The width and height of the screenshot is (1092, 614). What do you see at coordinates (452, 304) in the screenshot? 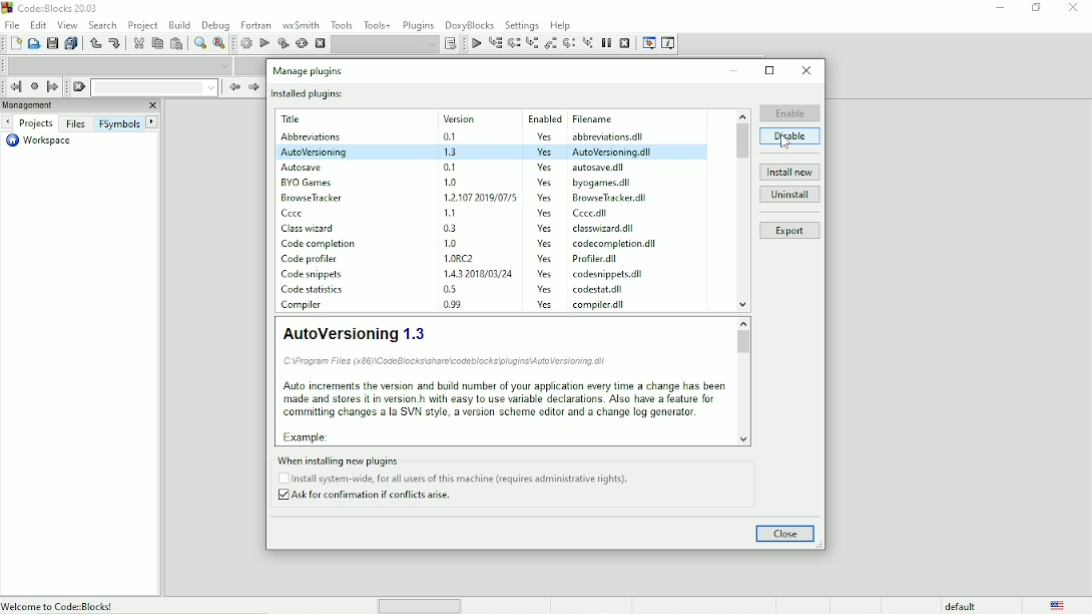
I see `0.99` at bounding box center [452, 304].